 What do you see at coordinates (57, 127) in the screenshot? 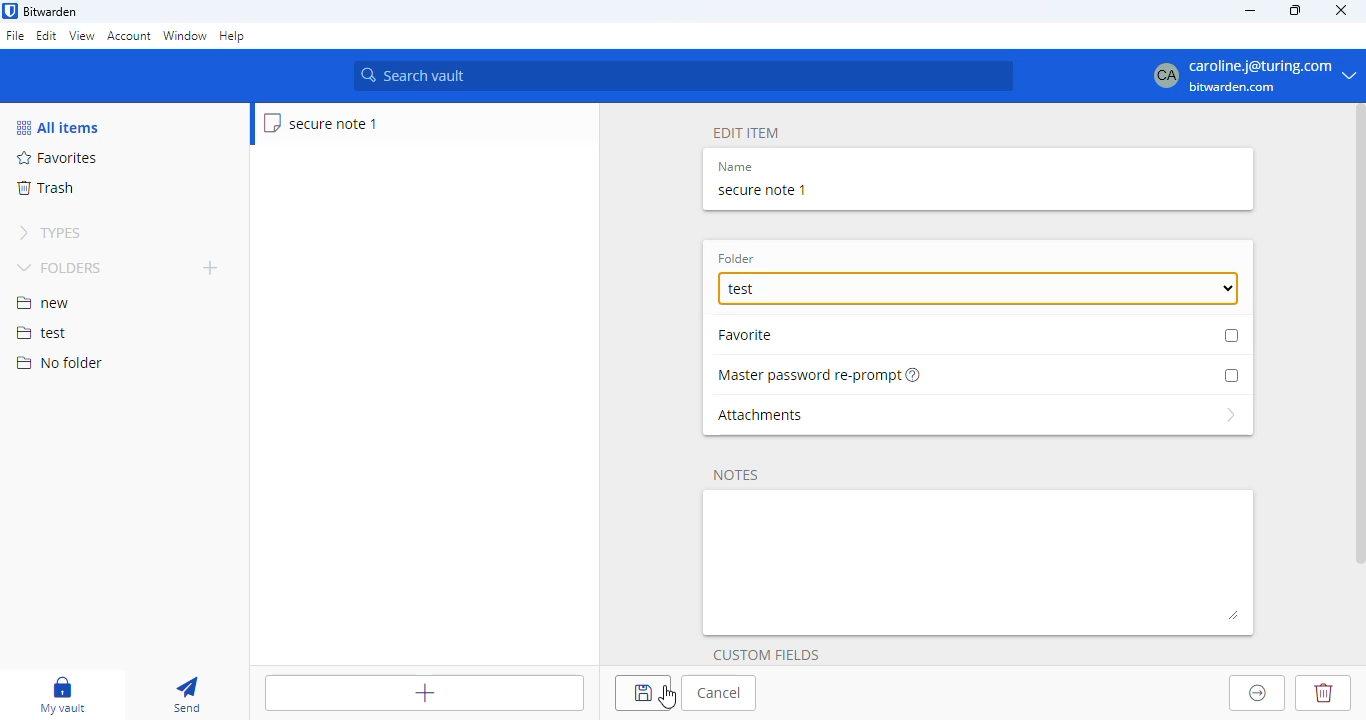
I see `all items` at bounding box center [57, 127].